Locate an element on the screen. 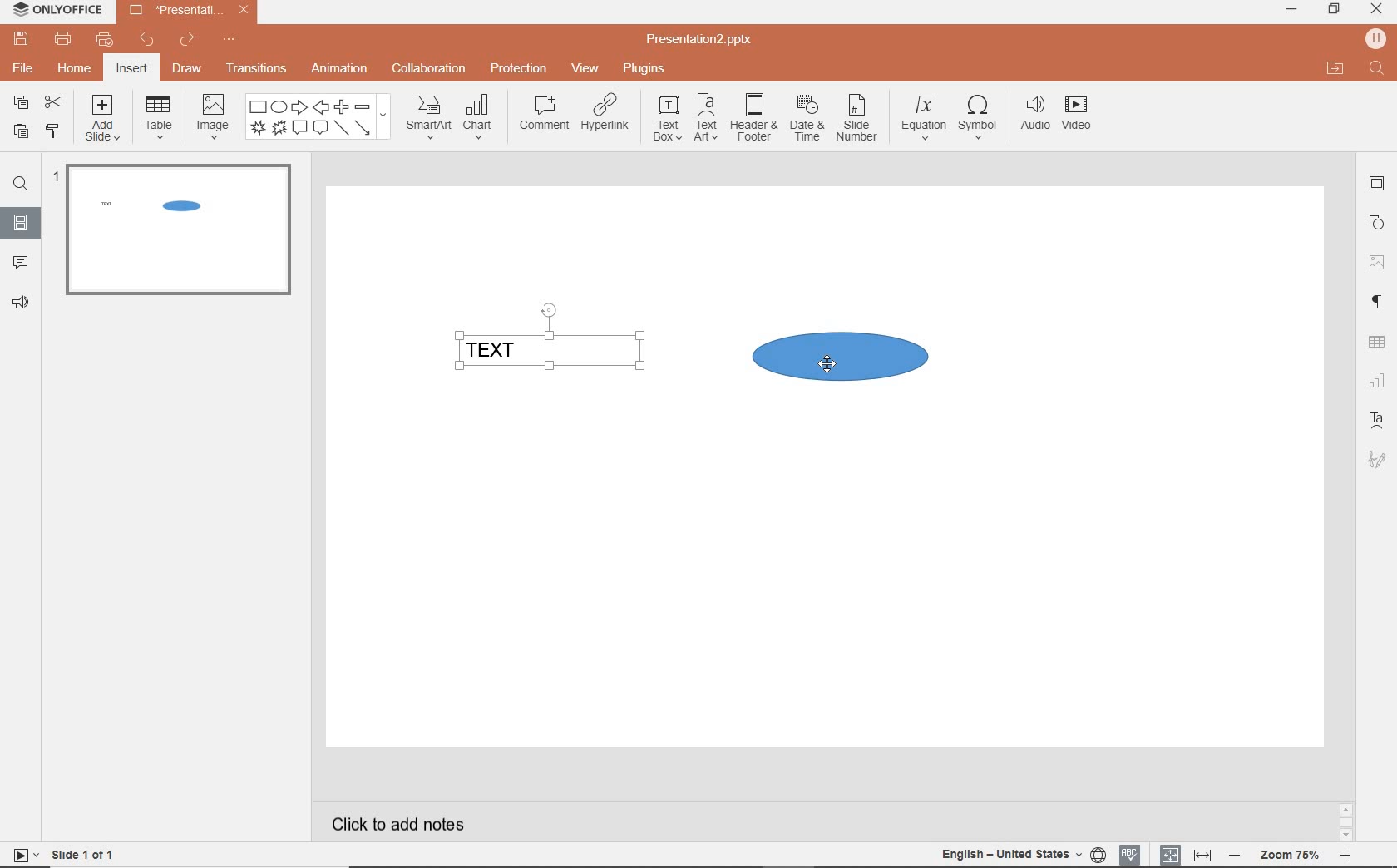 The image size is (1397, 868). copy is located at coordinates (21, 102).